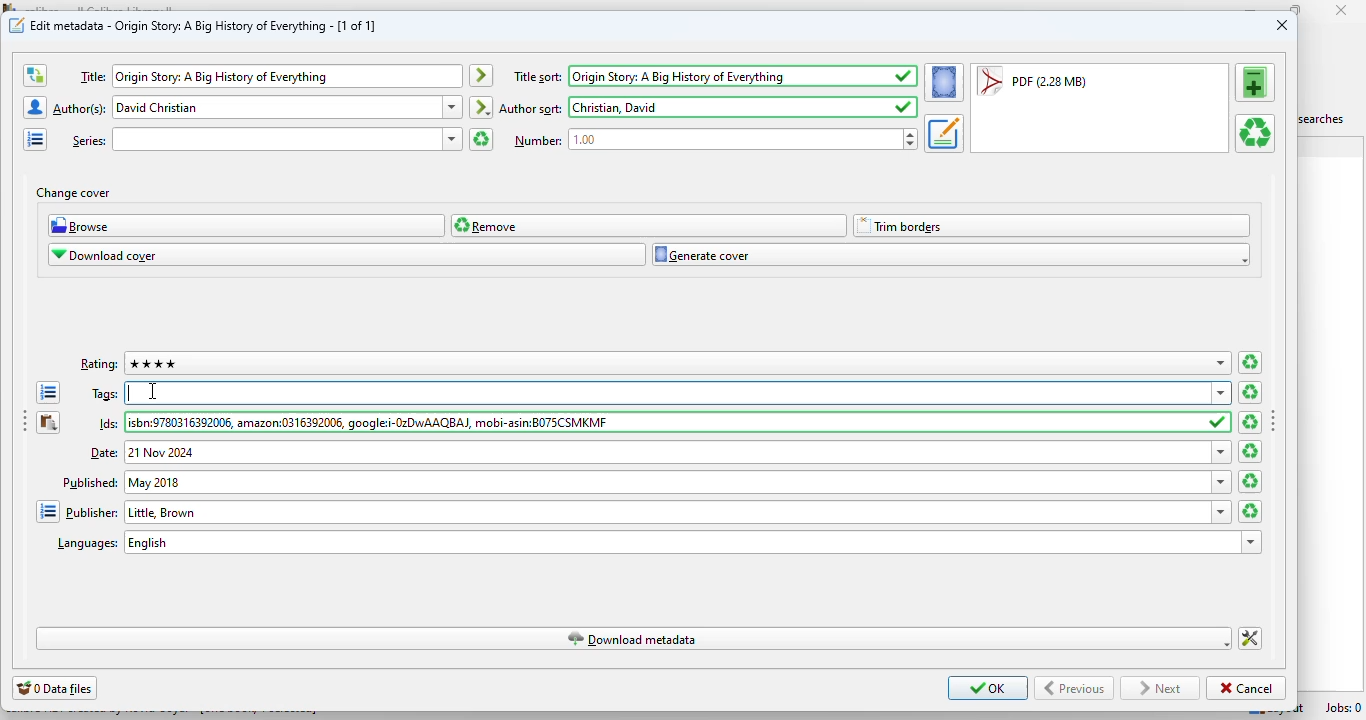 The image size is (1366, 720). Describe the element at coordinates (288, 76) in the screenshot. I see `Title: Origin Story: A Big History of Everything` at that location.